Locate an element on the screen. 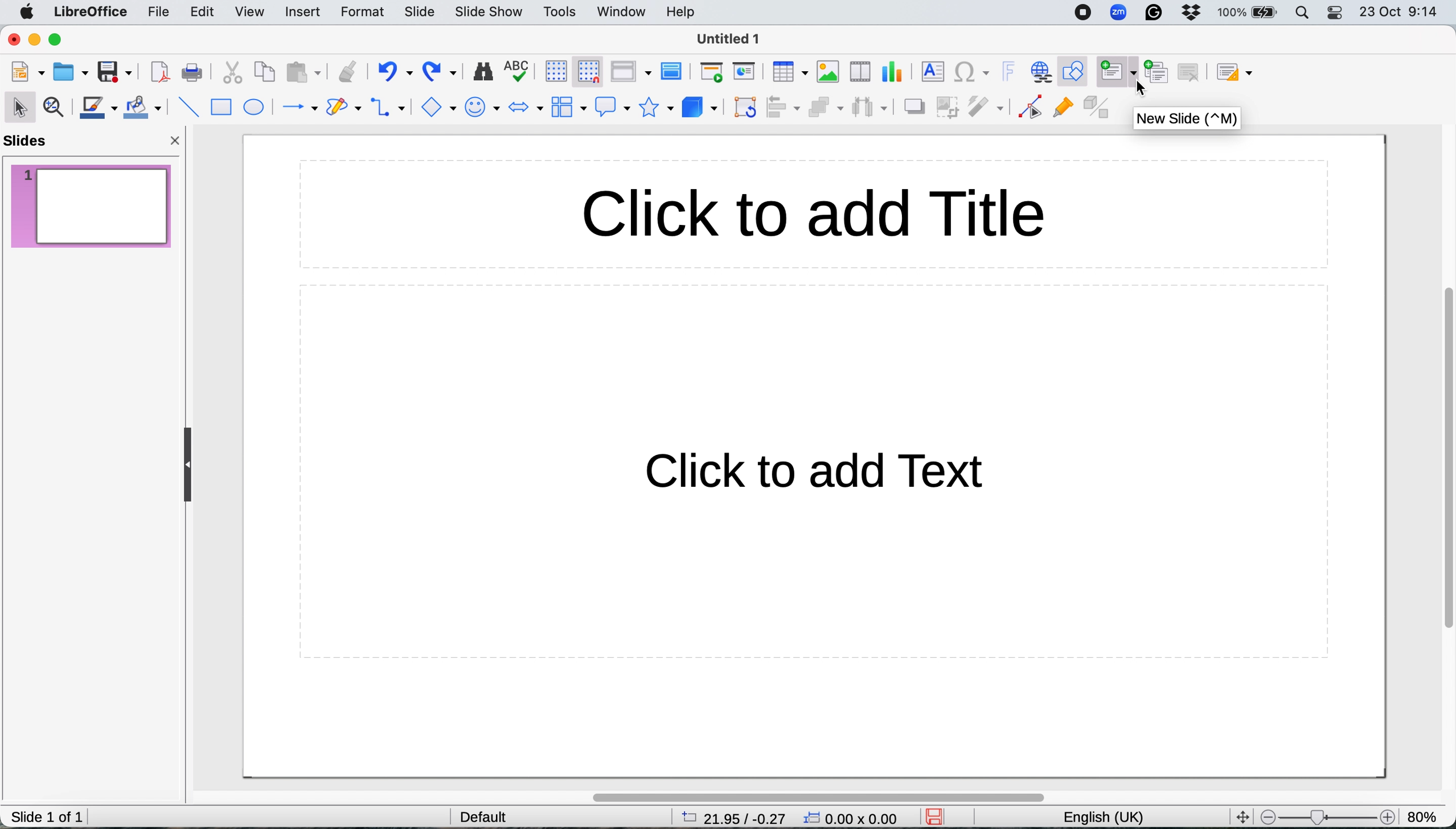 This screenshot has width=1456, height=829. show draw functions is located at coordinates (1073, 69).